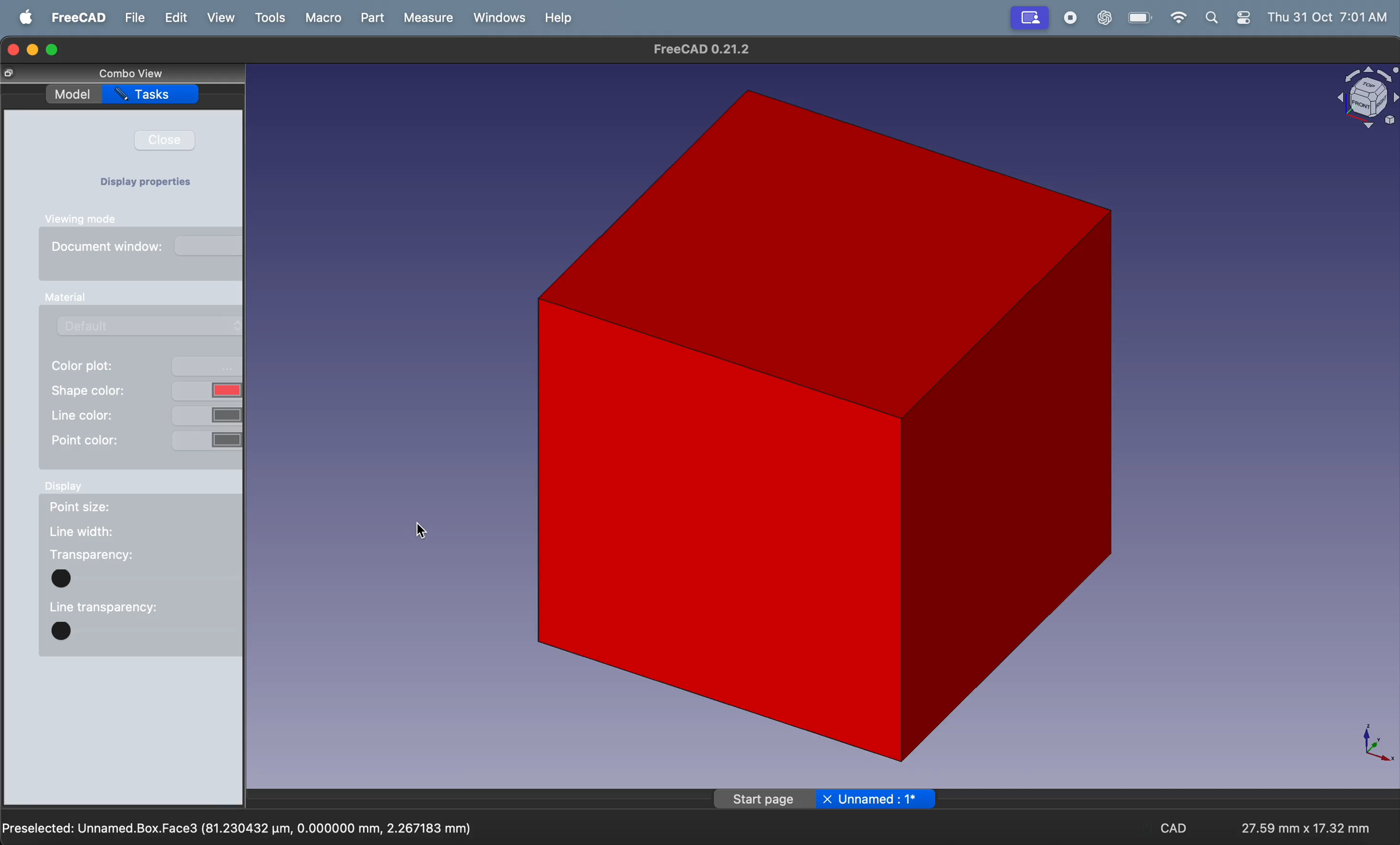 Image resolution: width=1400 pixels, height=845 pixels. What do you see at coordinates (91, 555) in the screenshot?
I see `transparency` at bounding box center [91, 555].